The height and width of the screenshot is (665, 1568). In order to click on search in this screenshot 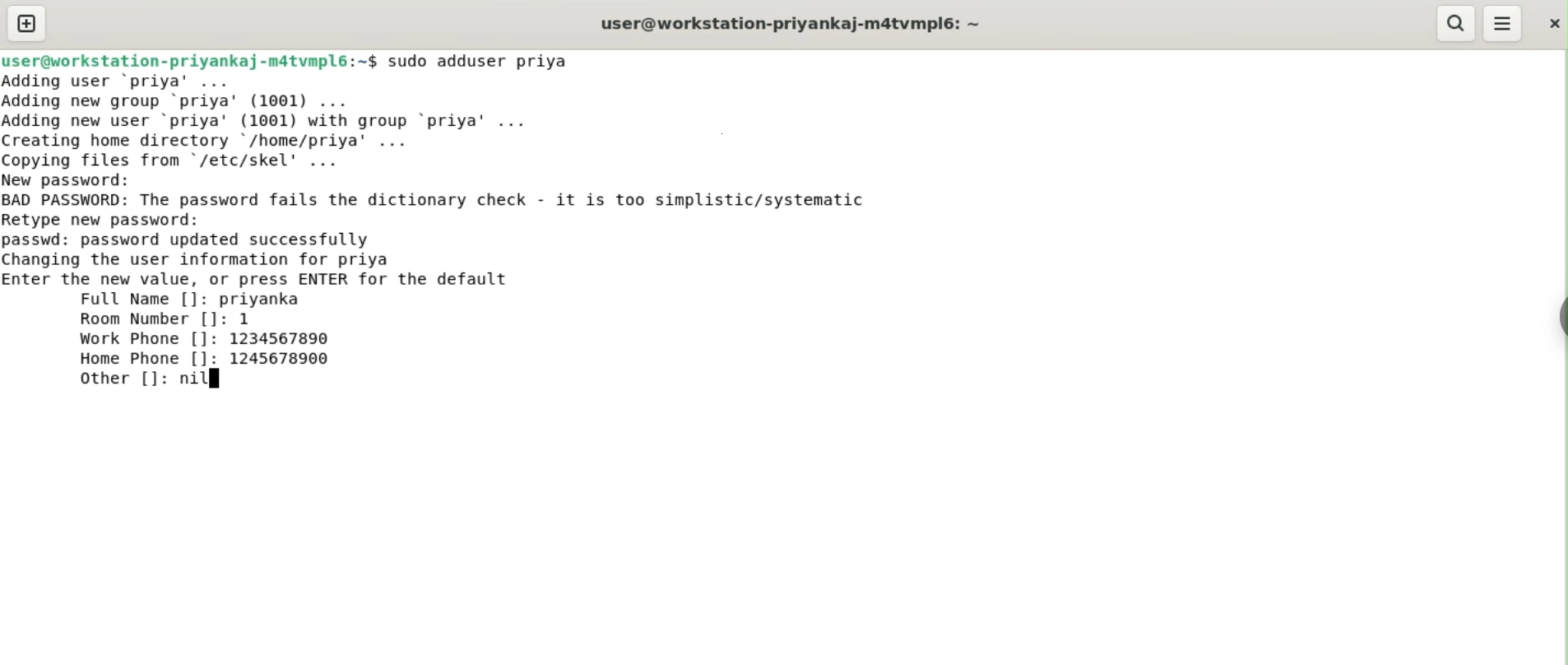, I will do `click(1457, 24)`.